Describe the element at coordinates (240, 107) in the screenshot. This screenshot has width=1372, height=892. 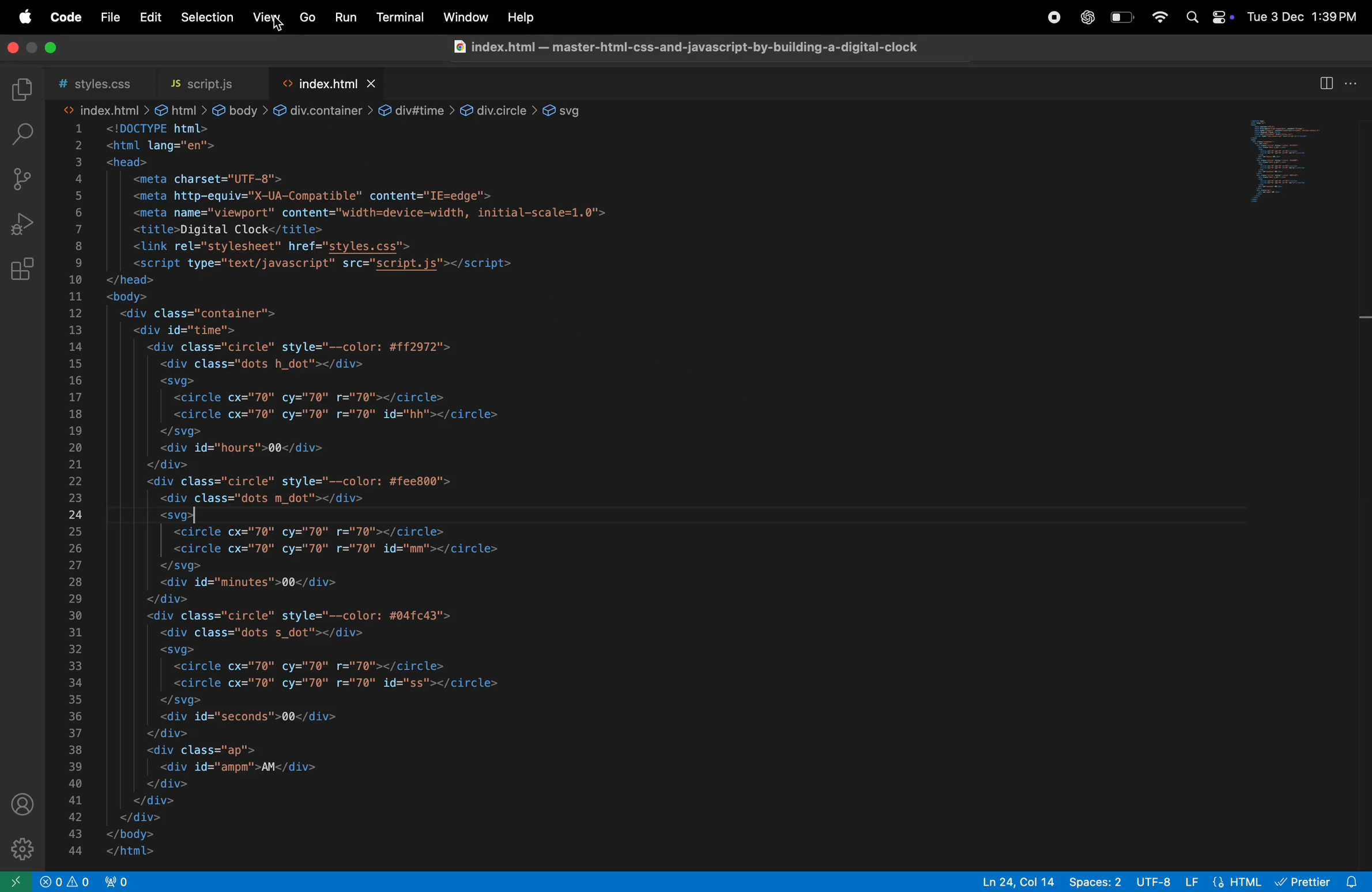
I see `body` at that location.